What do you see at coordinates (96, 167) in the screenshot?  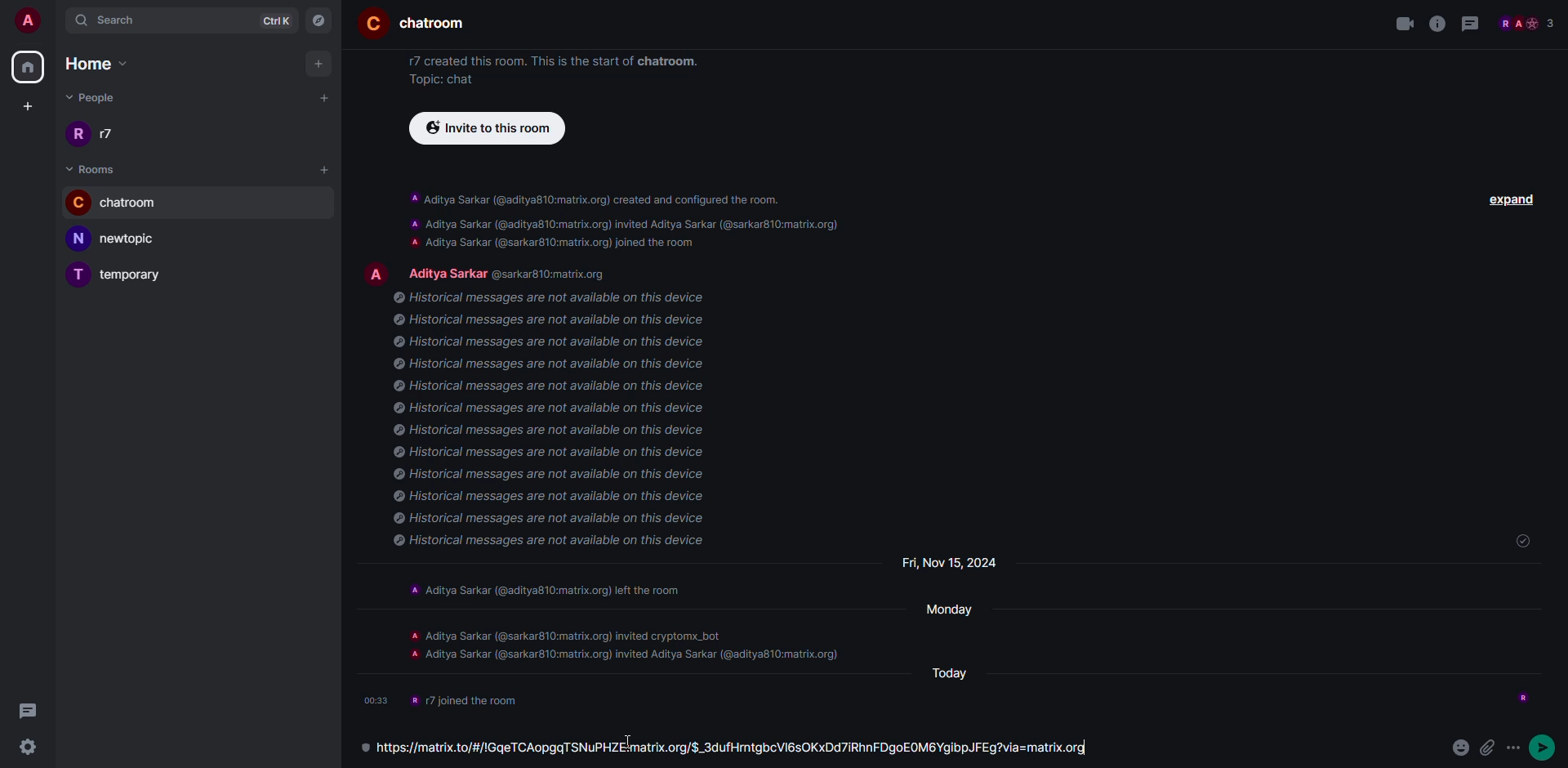 I see `room` at bounding box center [96, 167].